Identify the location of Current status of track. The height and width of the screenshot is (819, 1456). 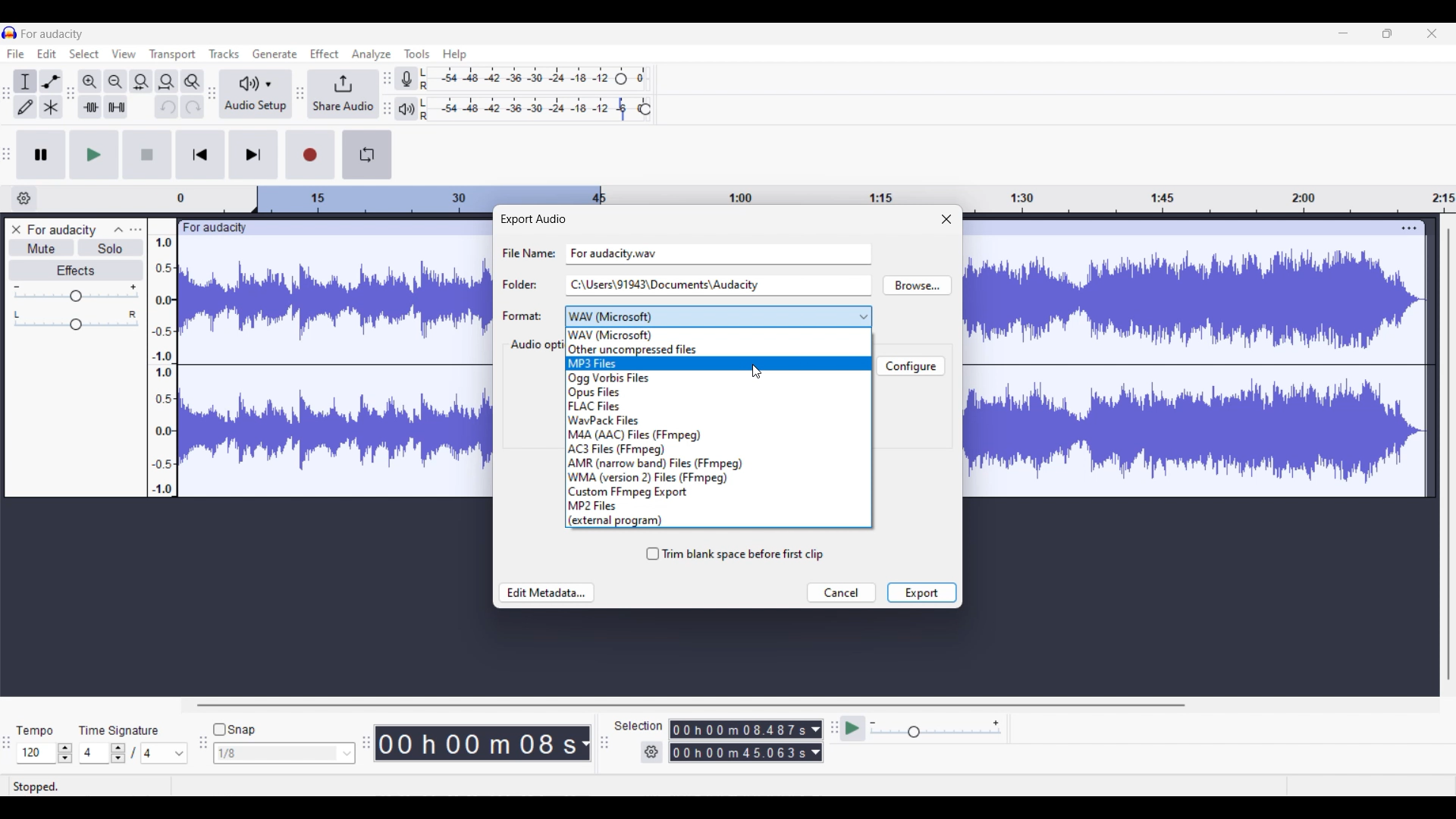
(36, 786).